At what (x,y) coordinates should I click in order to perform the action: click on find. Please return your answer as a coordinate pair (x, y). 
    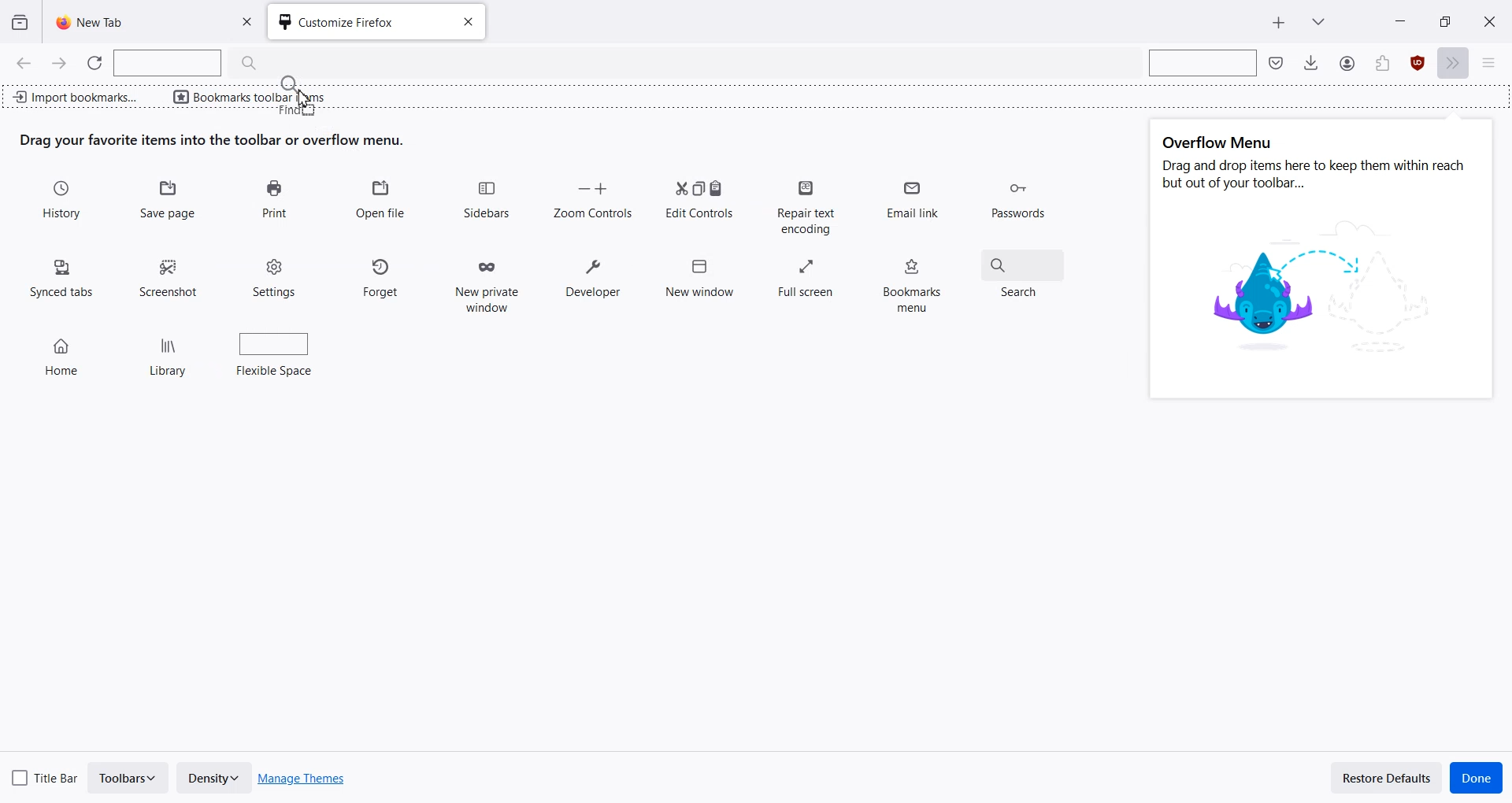
    Looking at the image, I should click on (297, 113).